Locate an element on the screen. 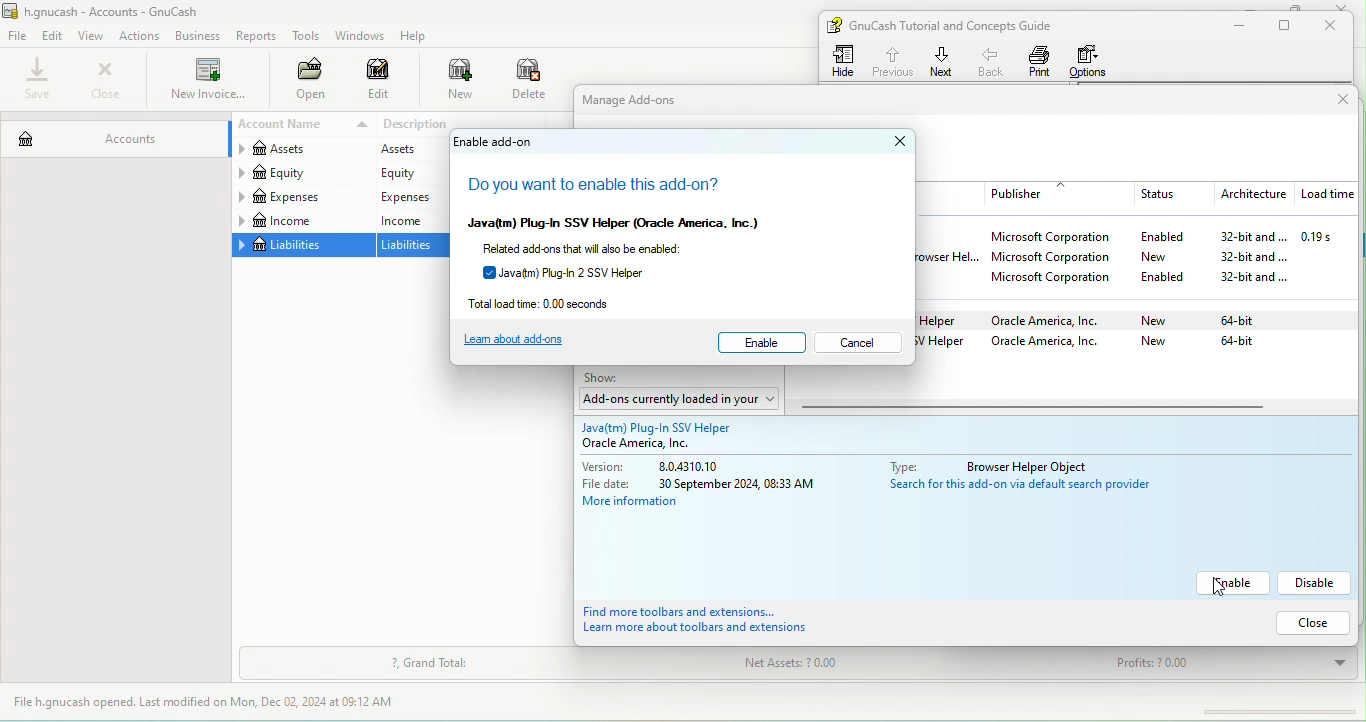 The image size is (1366, 722). 32 bit and is located at coordinates (1246, 237).